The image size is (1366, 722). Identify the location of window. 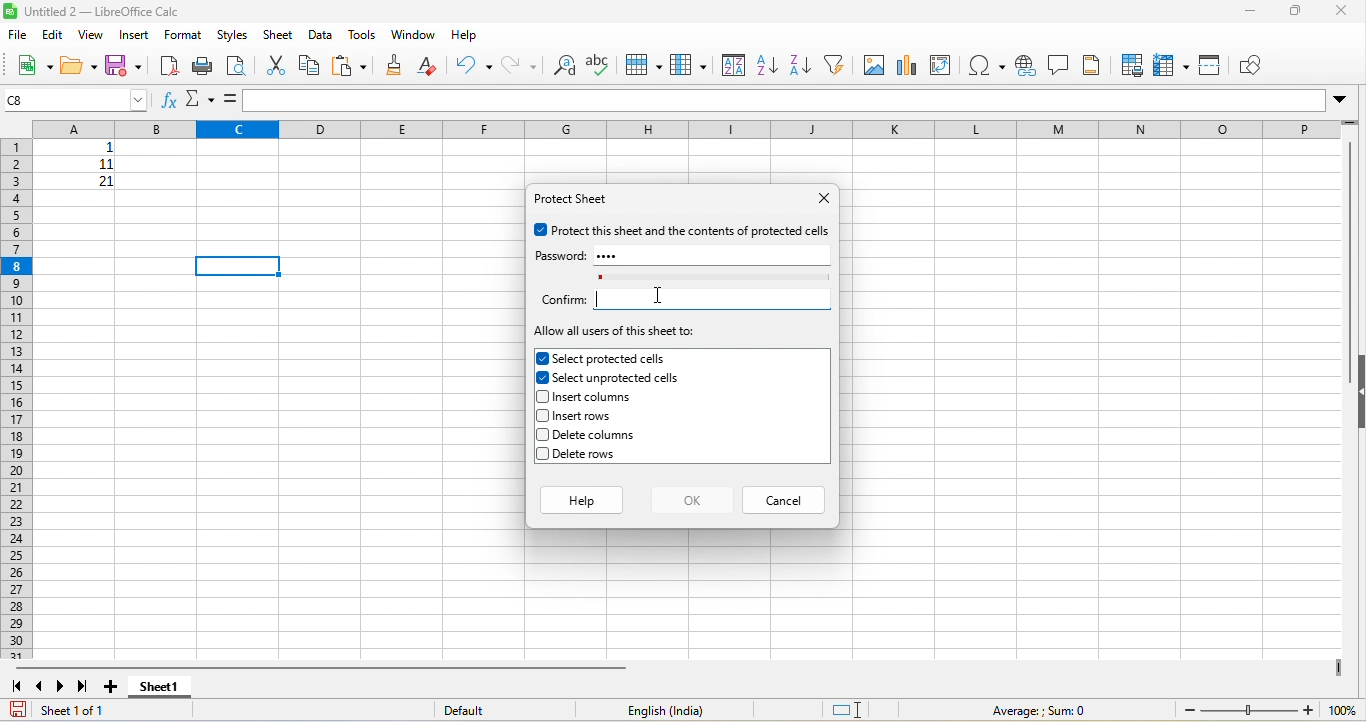
(412, 36).